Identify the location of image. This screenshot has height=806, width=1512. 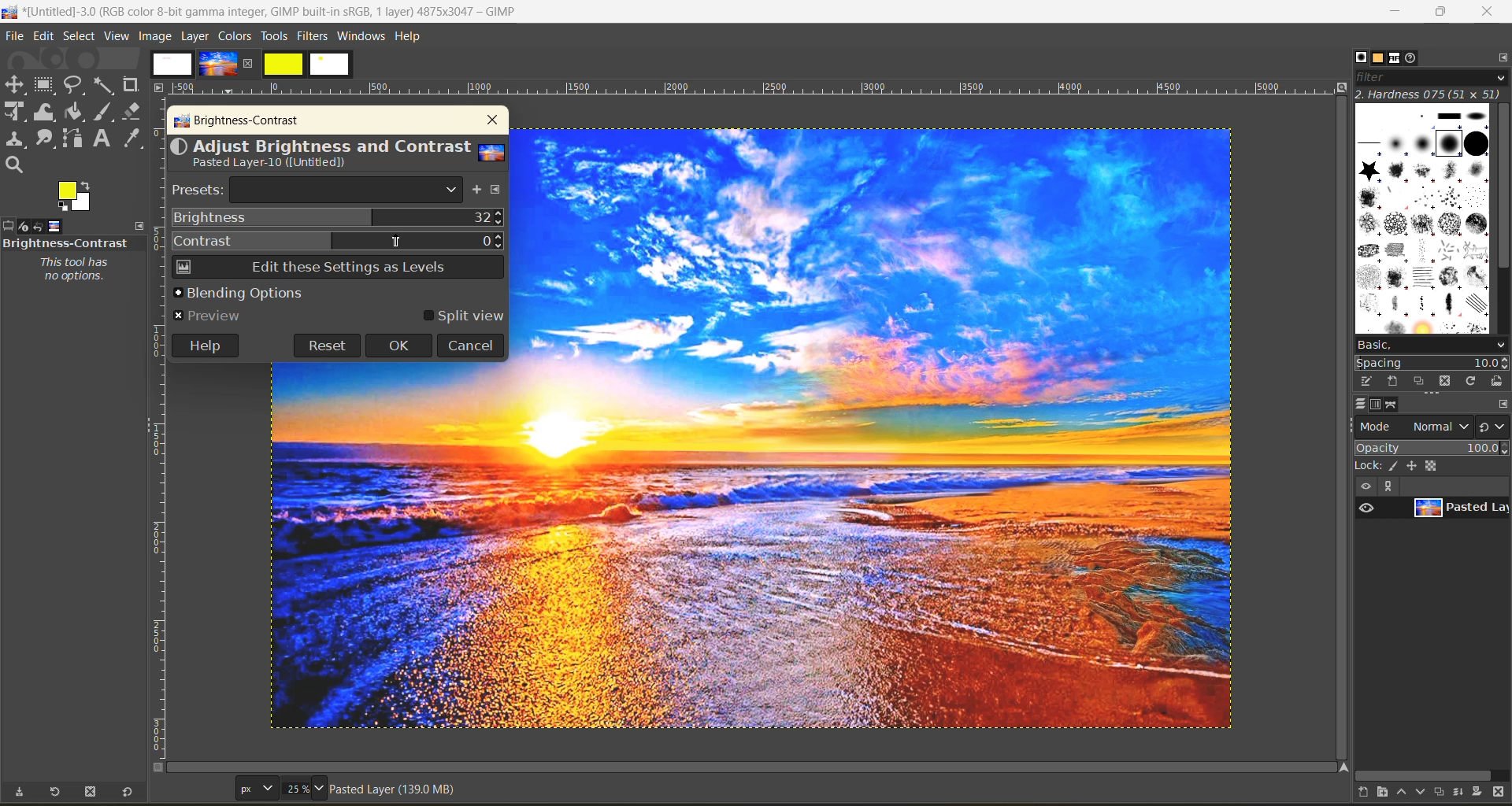
(155, 36).